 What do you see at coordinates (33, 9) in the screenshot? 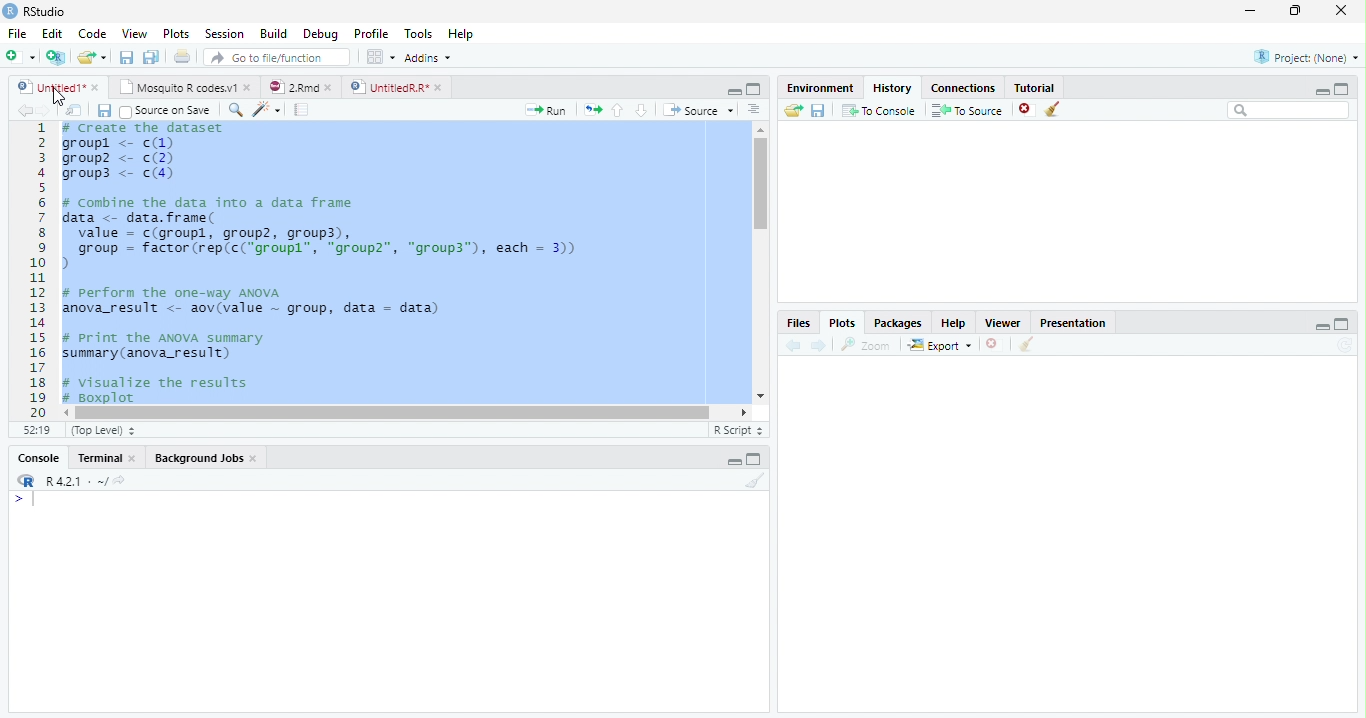
I see `Rstudio` at bounding box center [33, 9].